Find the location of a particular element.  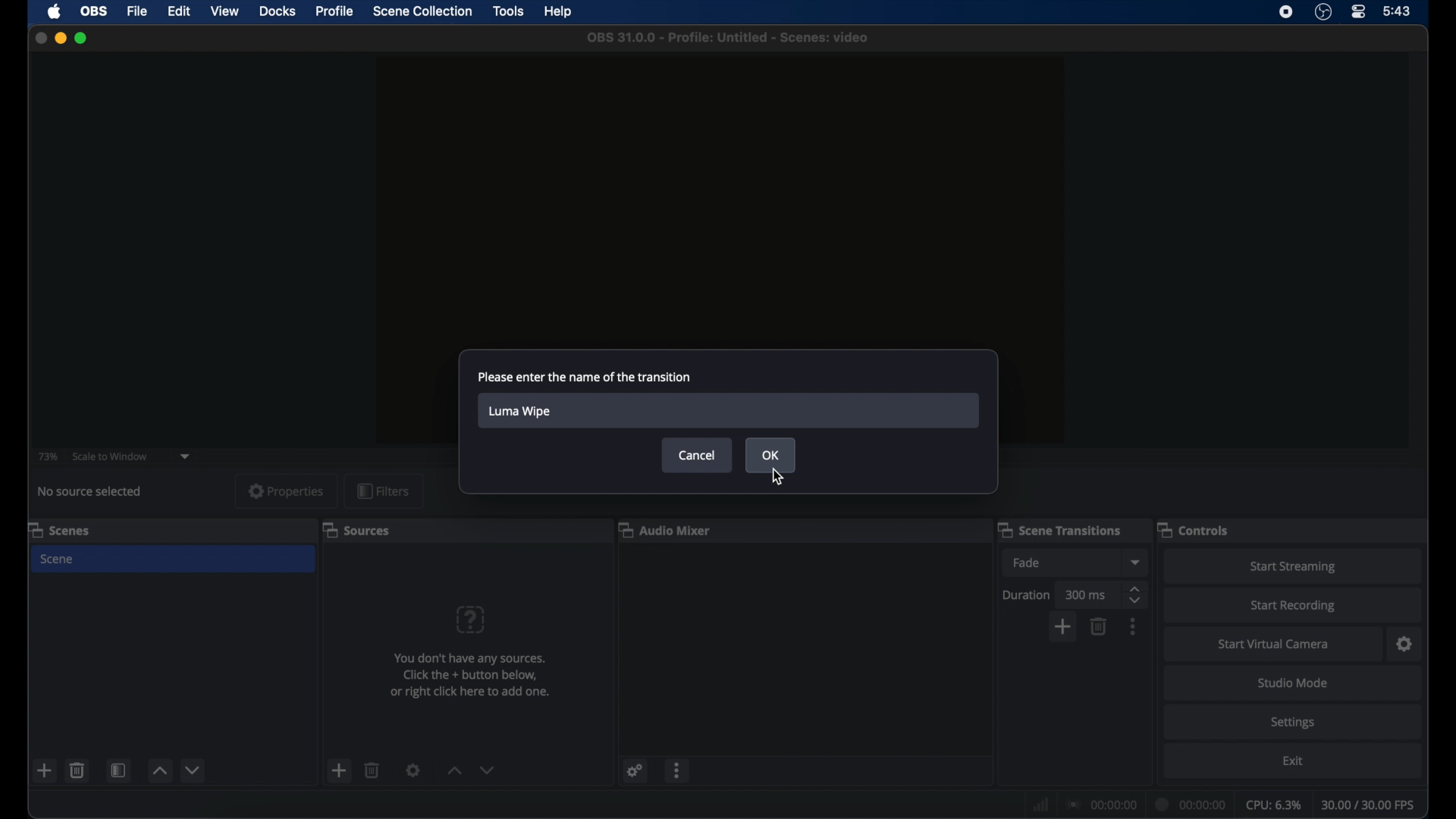

start streaming is located at coordinates (1294, 566).